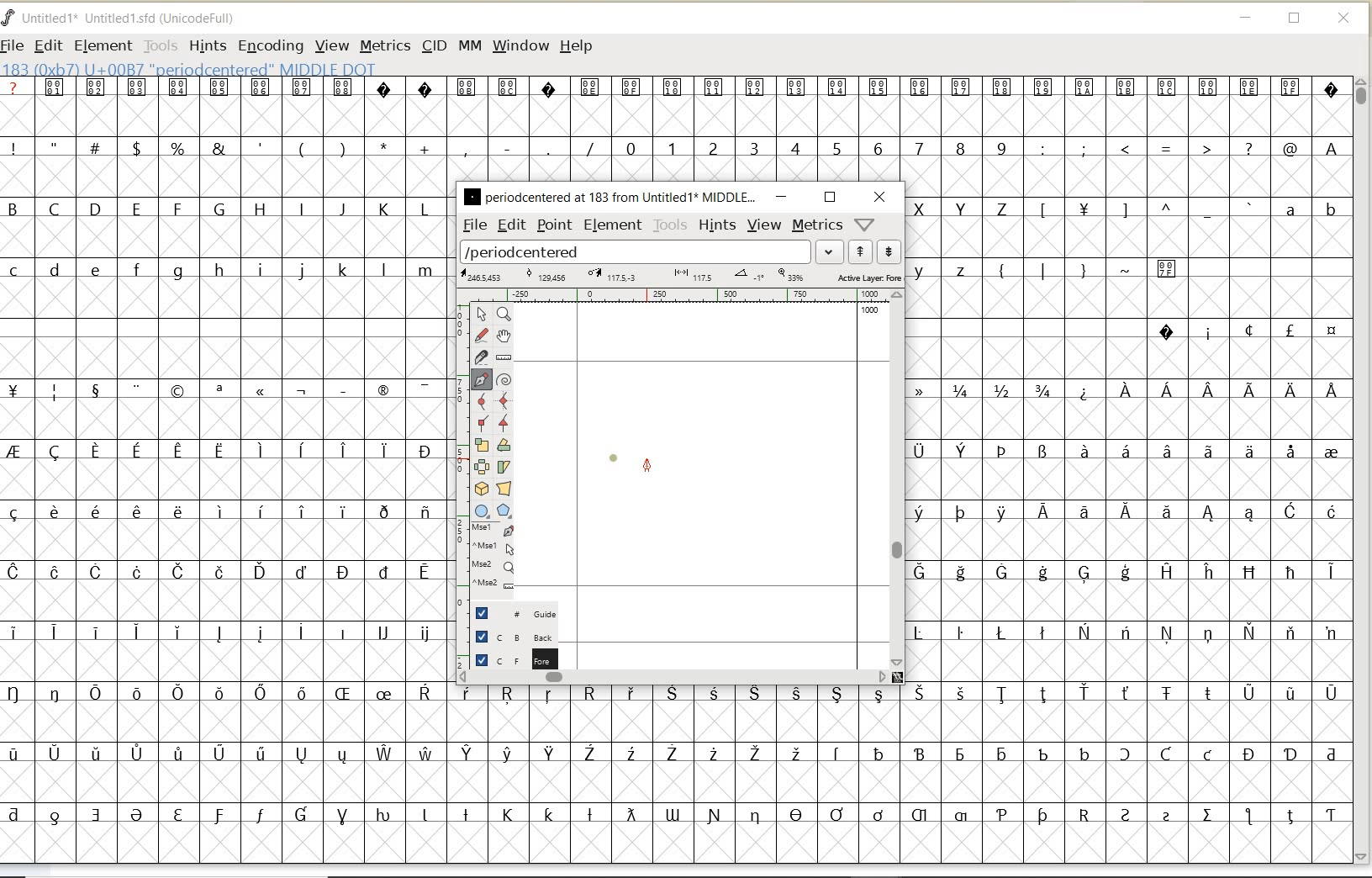 The image size is (1372, 878). I want to click on skew the selection, so click(504, 465).